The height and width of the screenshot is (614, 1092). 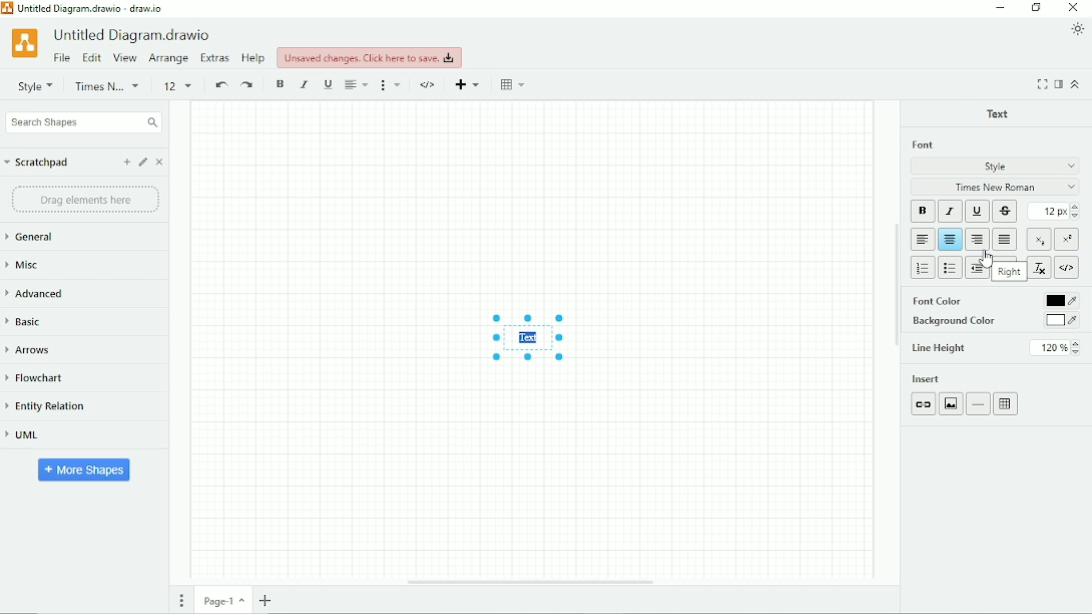 I want to click on General, so click(x=37, y=237).